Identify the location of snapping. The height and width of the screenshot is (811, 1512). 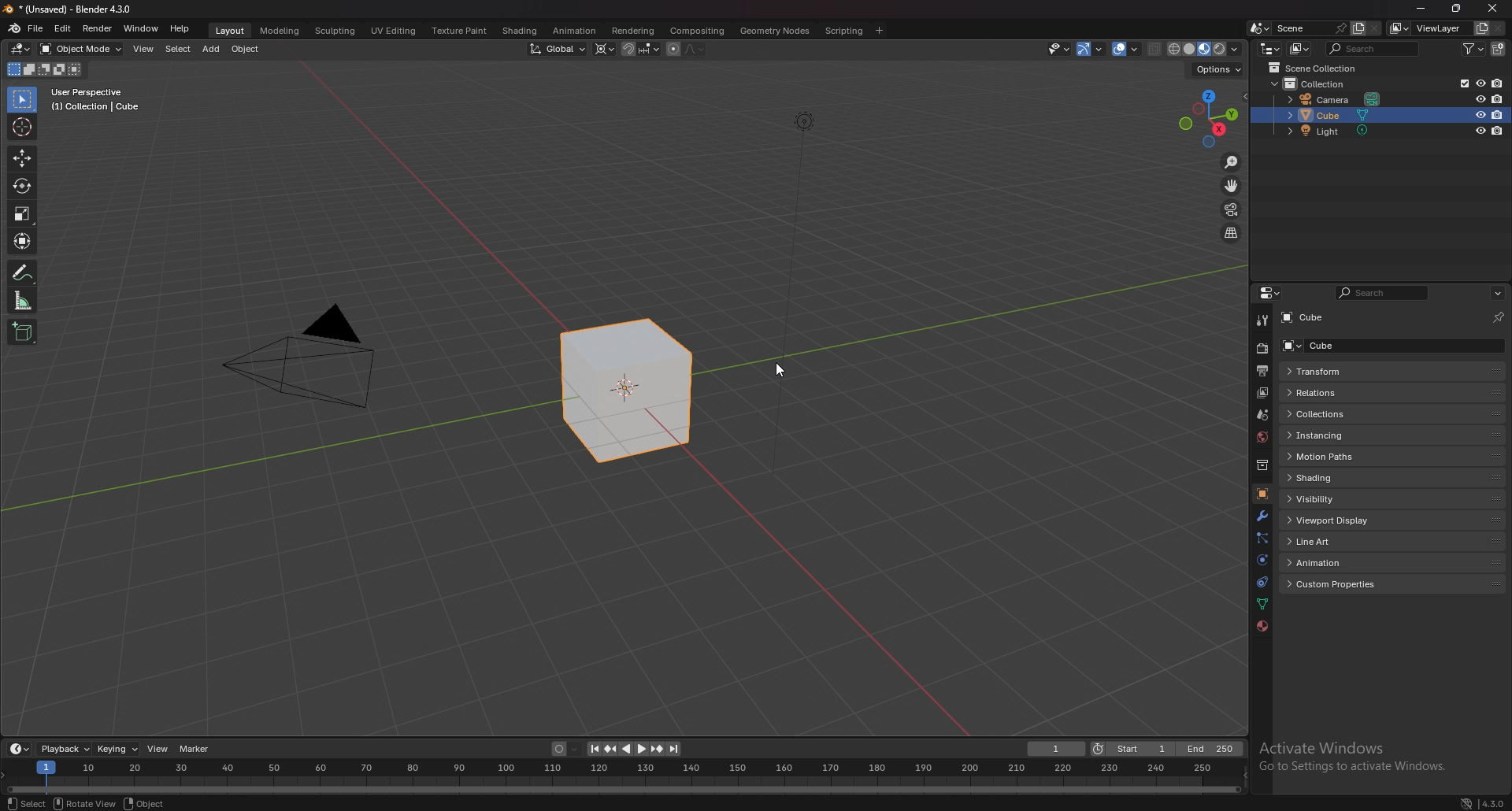
(641, 49).